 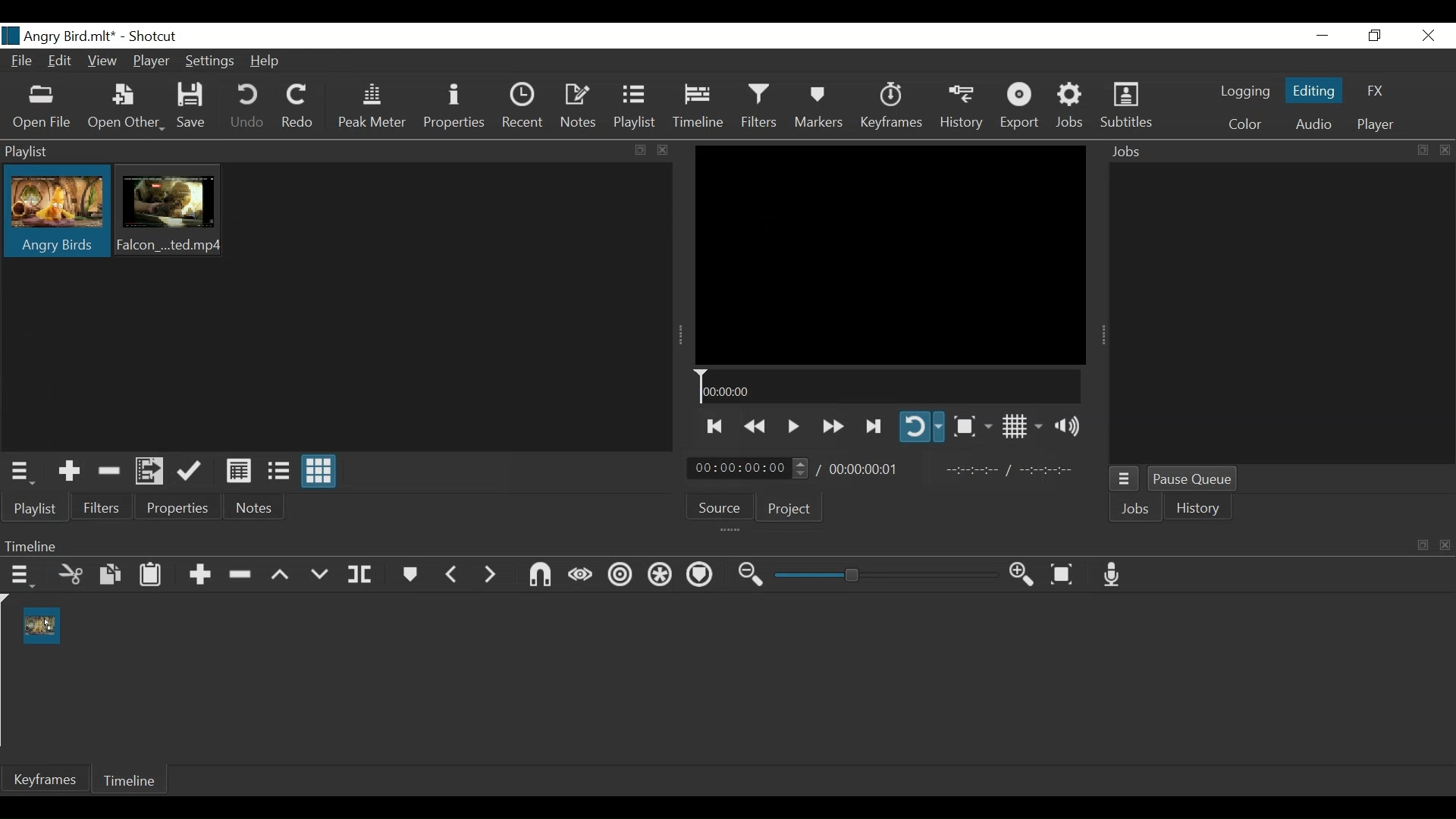 I want to click on logging, so click(x=1245, y=93).